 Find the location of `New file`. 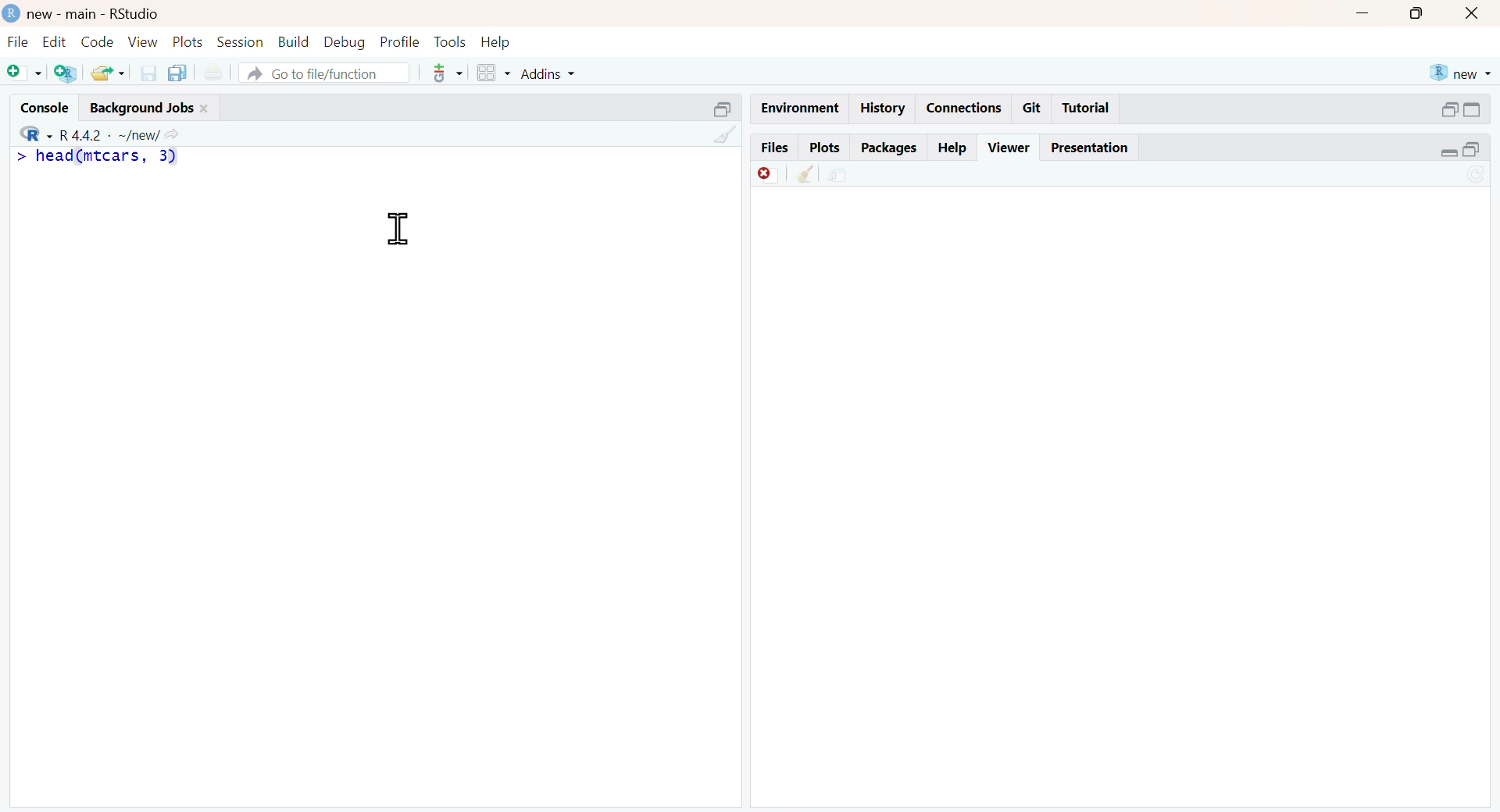

New file is located at coordinates (20, 69).